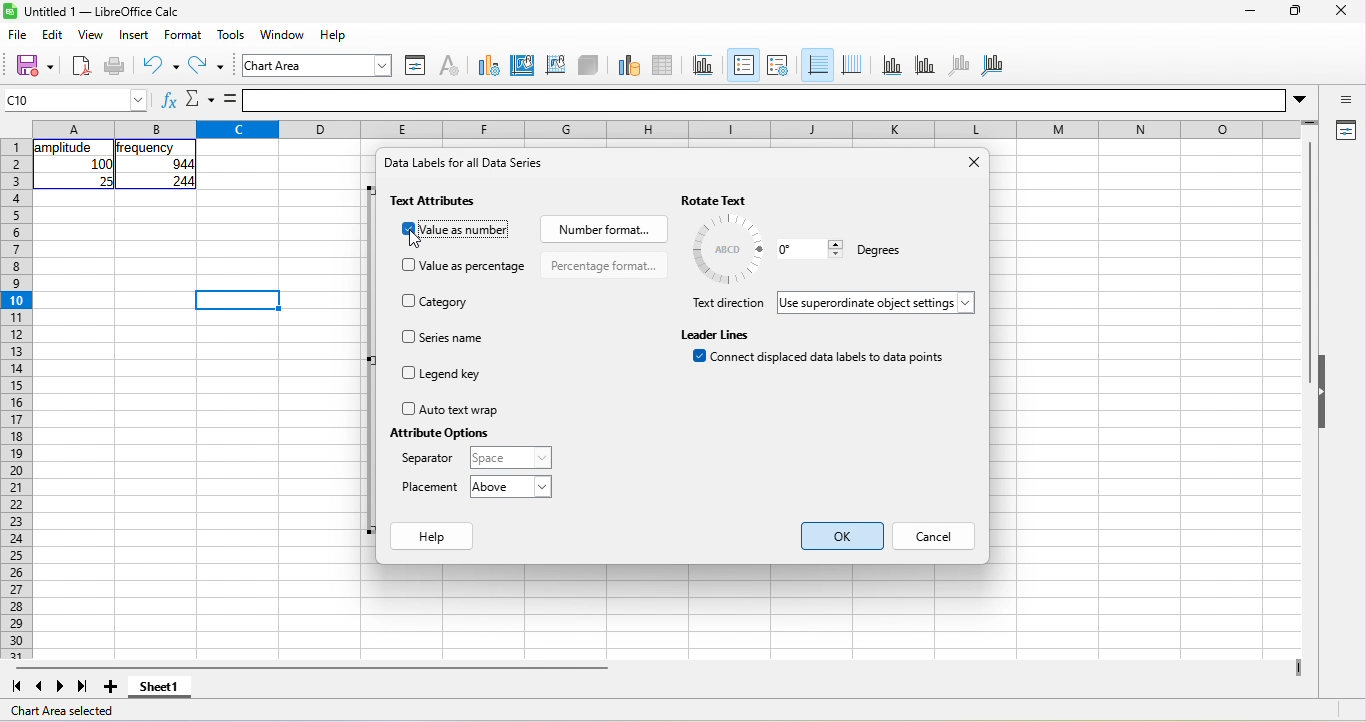 The image size is (1366, 722). Describe the element at coordinates (458, 233) in the screenshot. I see `select option` at that location.